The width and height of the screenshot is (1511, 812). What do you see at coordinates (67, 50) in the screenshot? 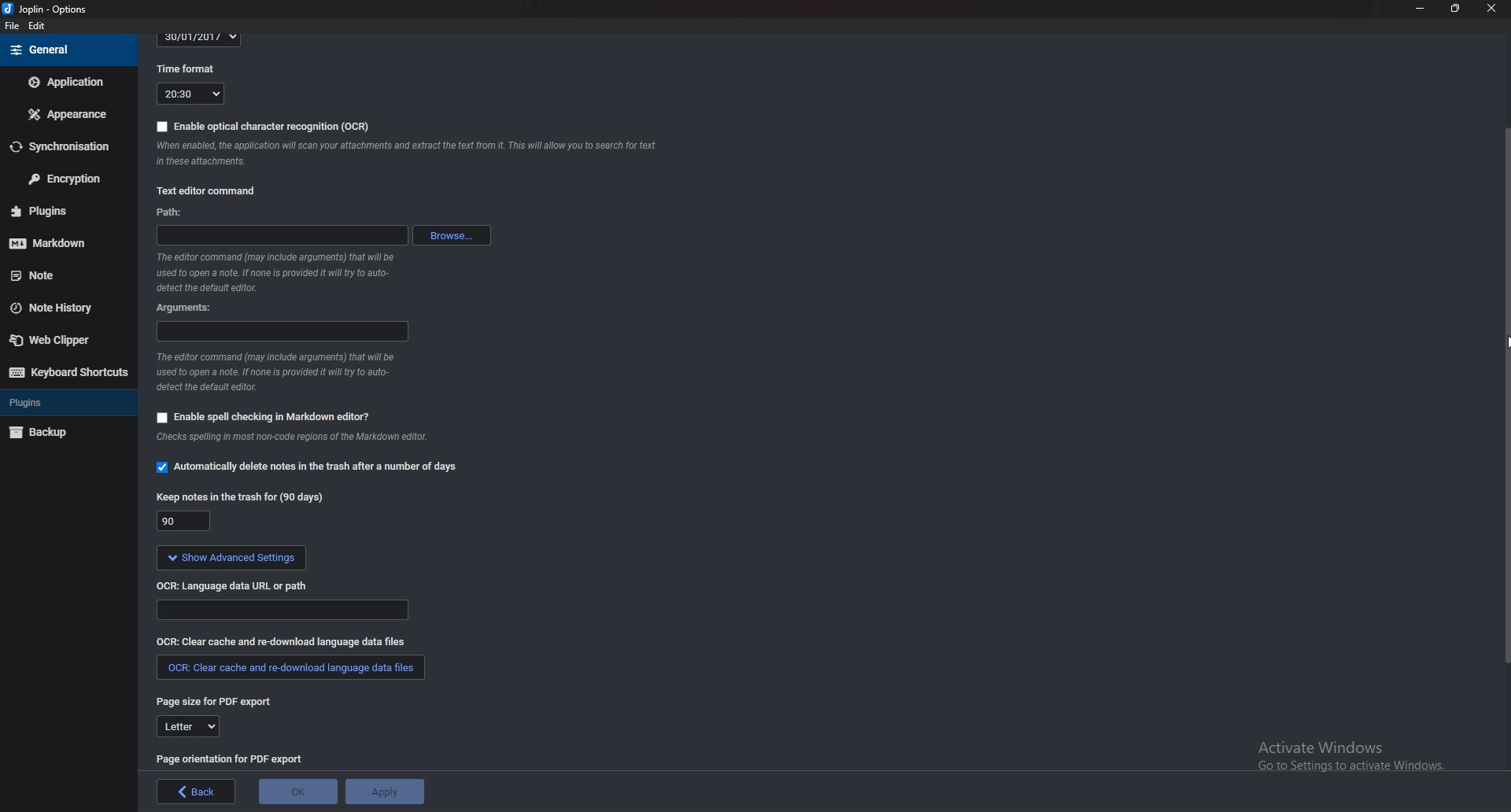
I see `general` at bounding box center [67, 50].